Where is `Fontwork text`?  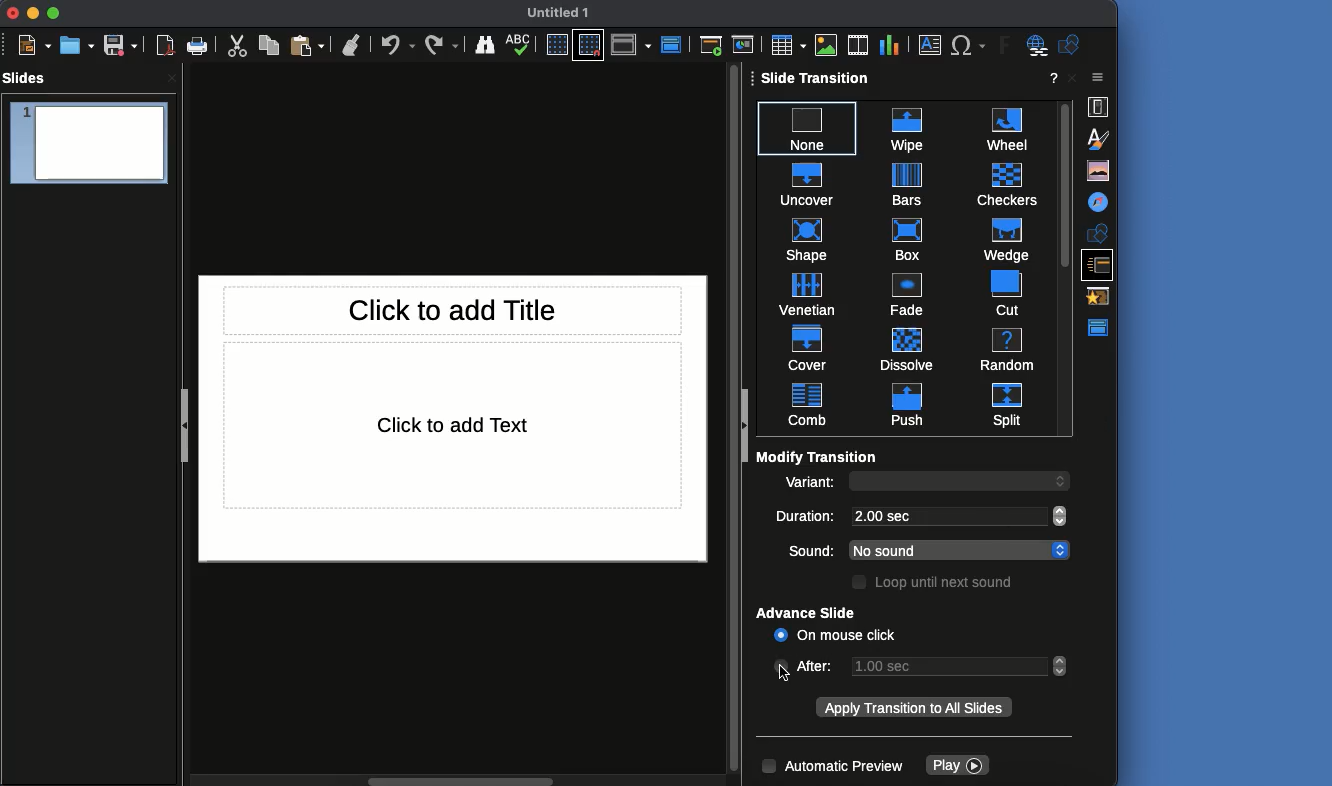
Fontwork text is located at coordinates (1000, 47).